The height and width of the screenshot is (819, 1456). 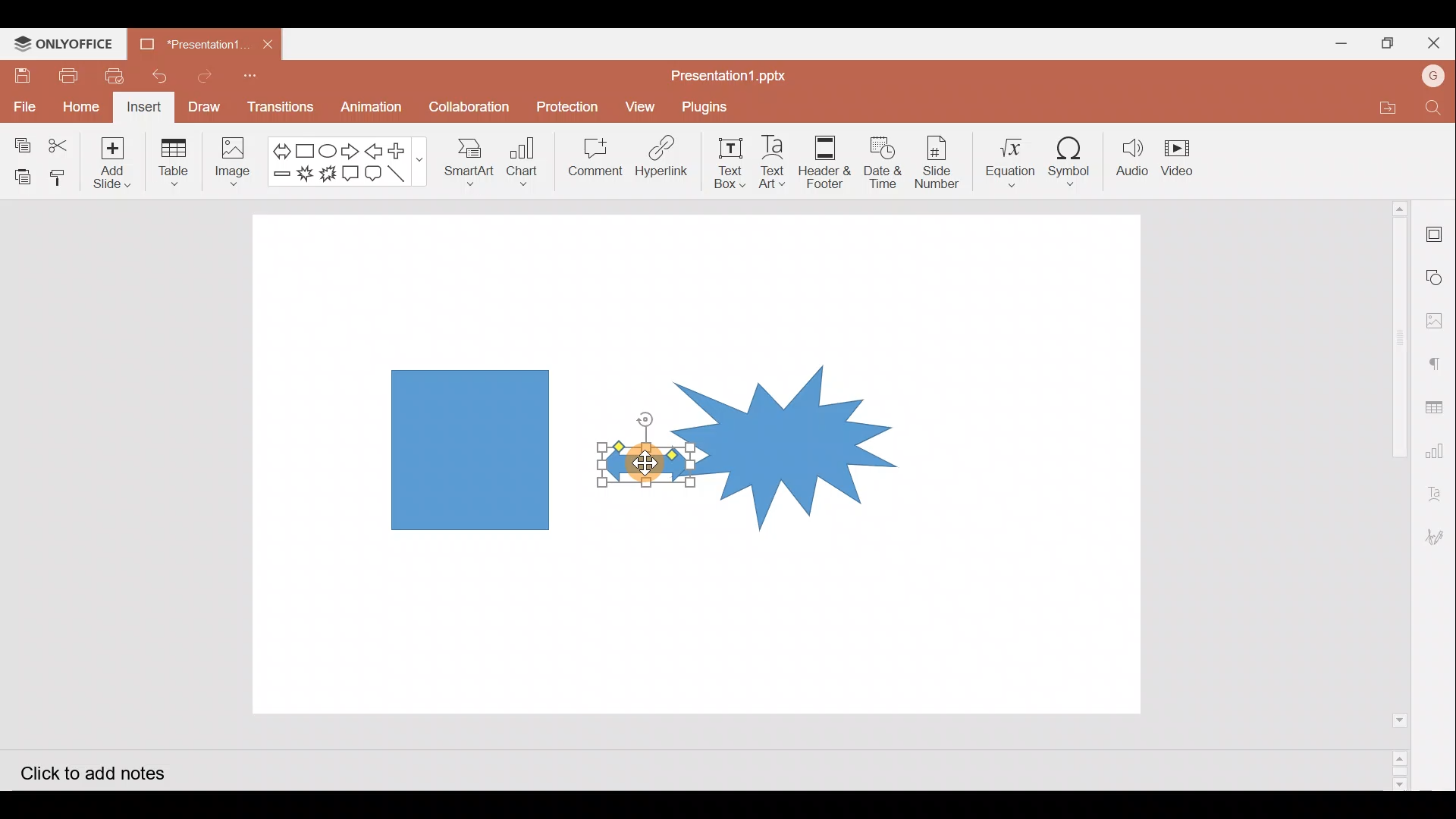 What do you see at coordinates (65, 75) in the screenshot?
I see `Print file` at bounding box center [65, 75].